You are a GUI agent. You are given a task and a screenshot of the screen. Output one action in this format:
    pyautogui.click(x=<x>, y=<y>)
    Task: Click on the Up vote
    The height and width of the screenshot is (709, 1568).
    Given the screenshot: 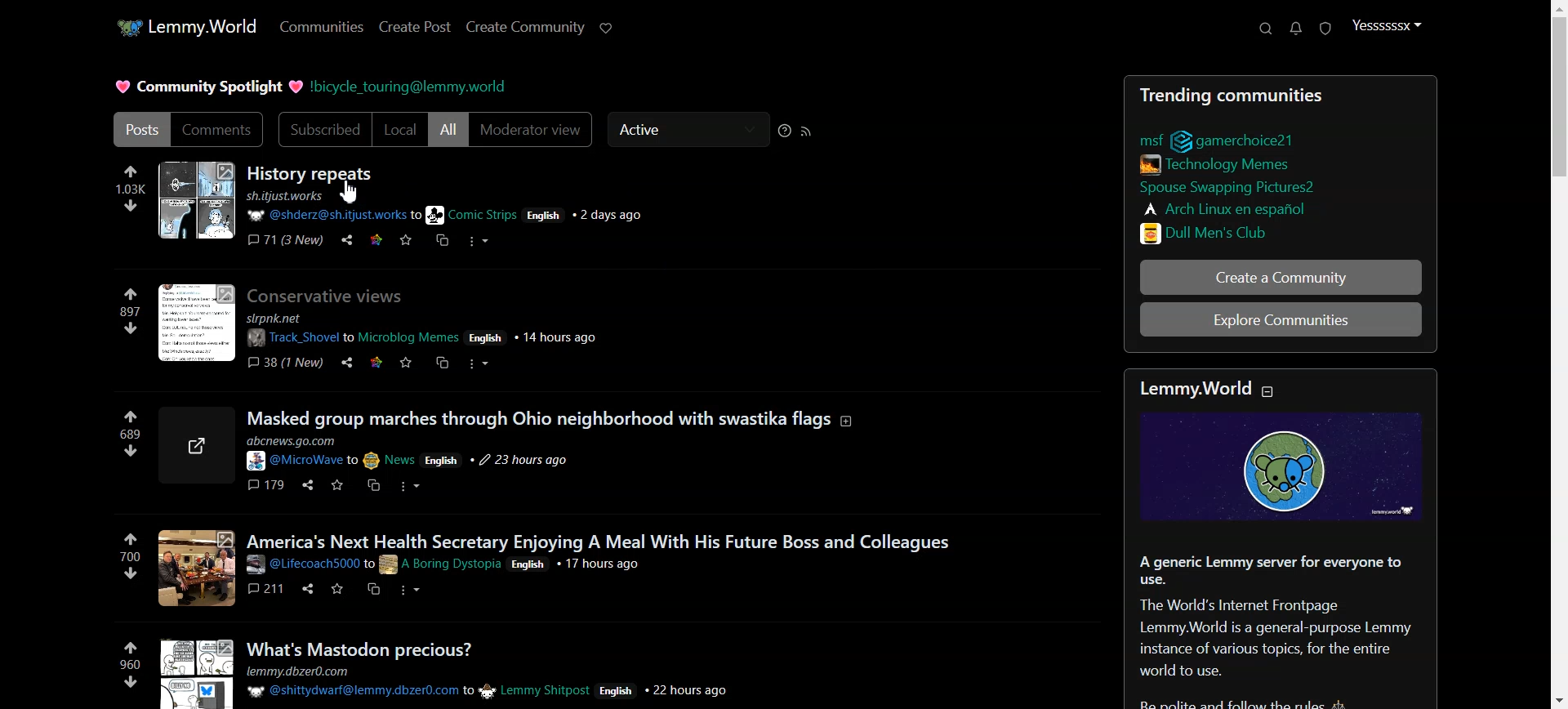 What is the action you would take?
    pyautogui.click(x=127, y=188)
    